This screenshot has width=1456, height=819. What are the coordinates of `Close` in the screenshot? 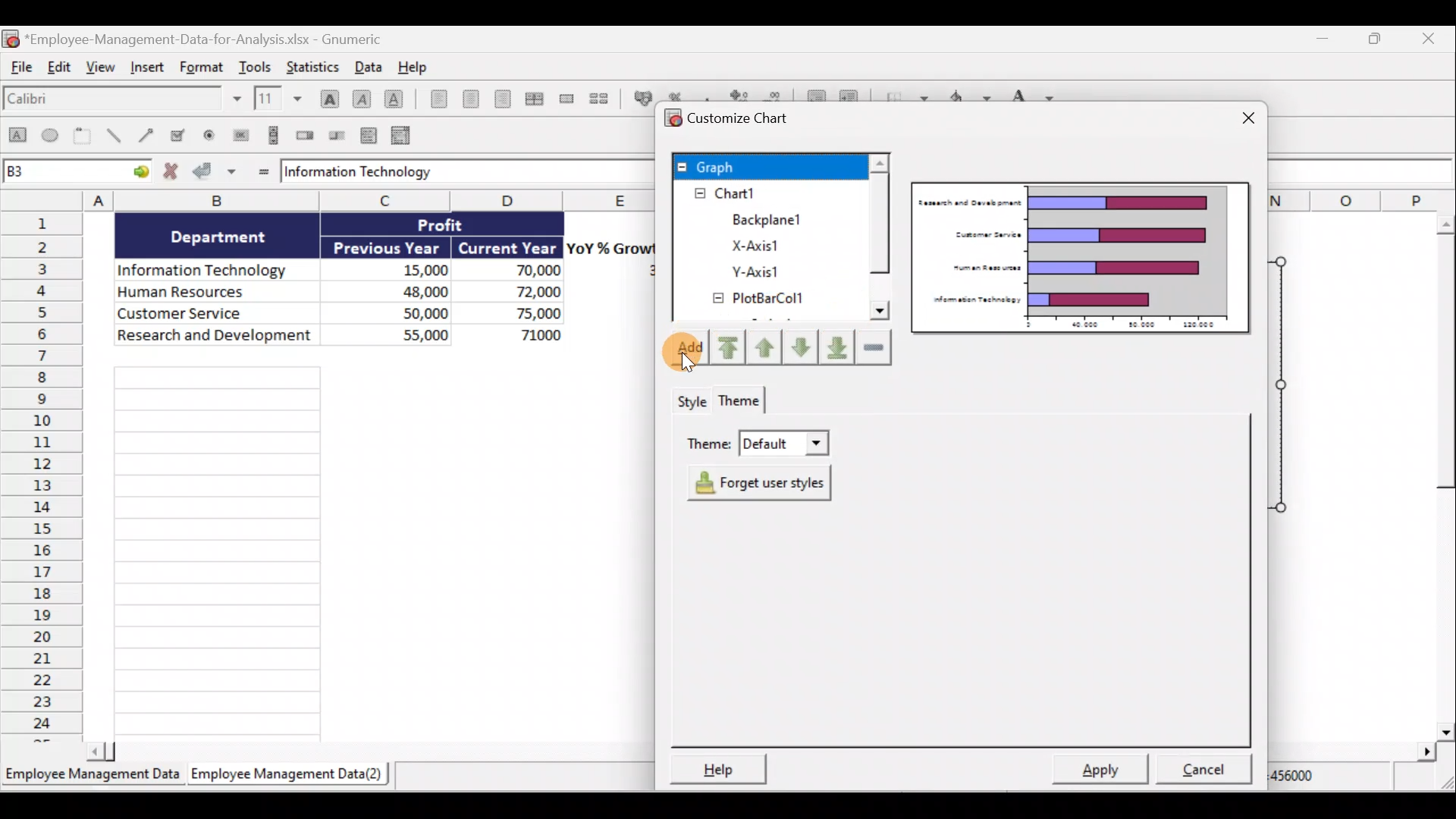 It's located at (1432, 39).